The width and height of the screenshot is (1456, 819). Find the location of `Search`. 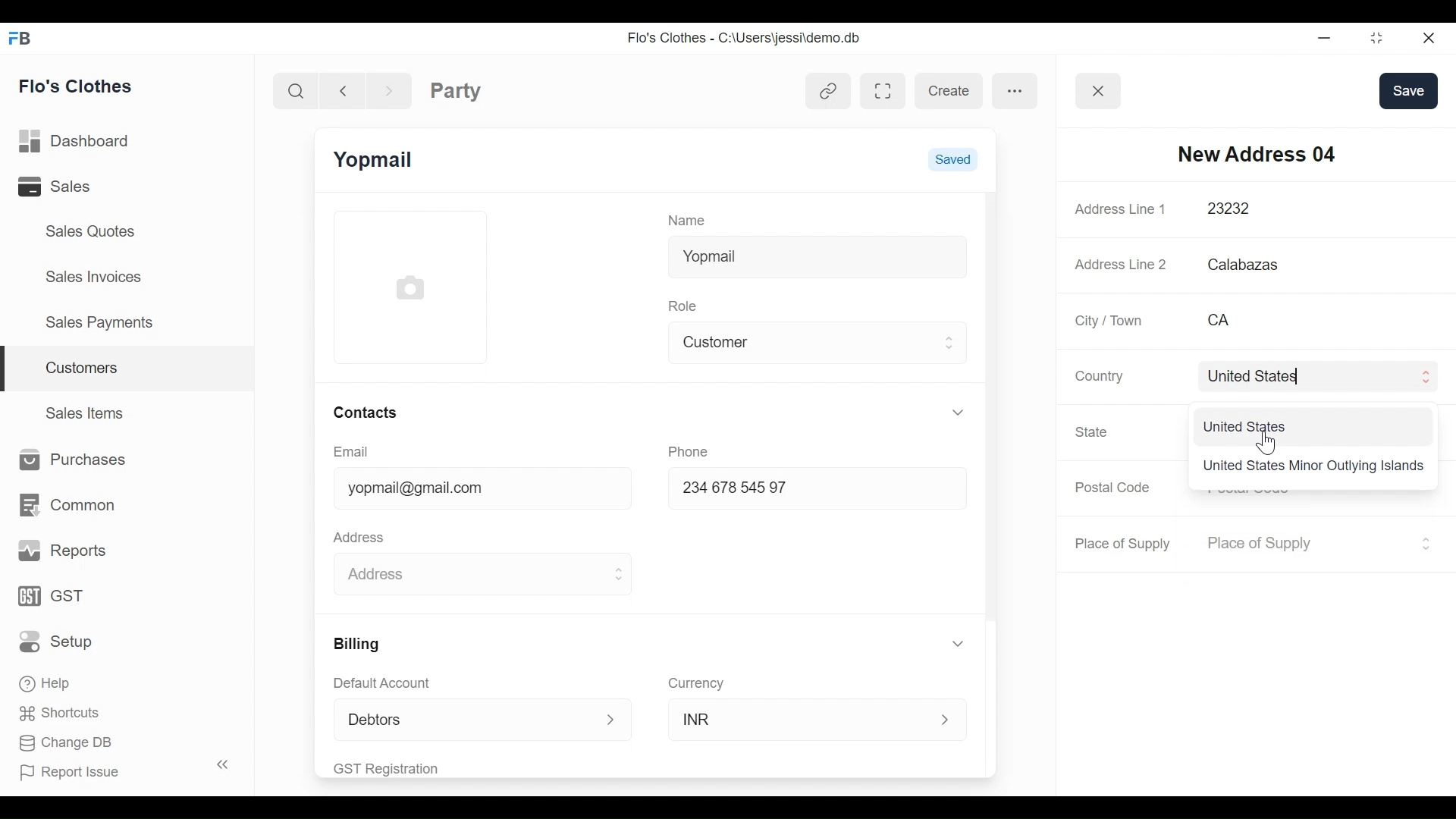

Search is located at coordinates (299, 90).